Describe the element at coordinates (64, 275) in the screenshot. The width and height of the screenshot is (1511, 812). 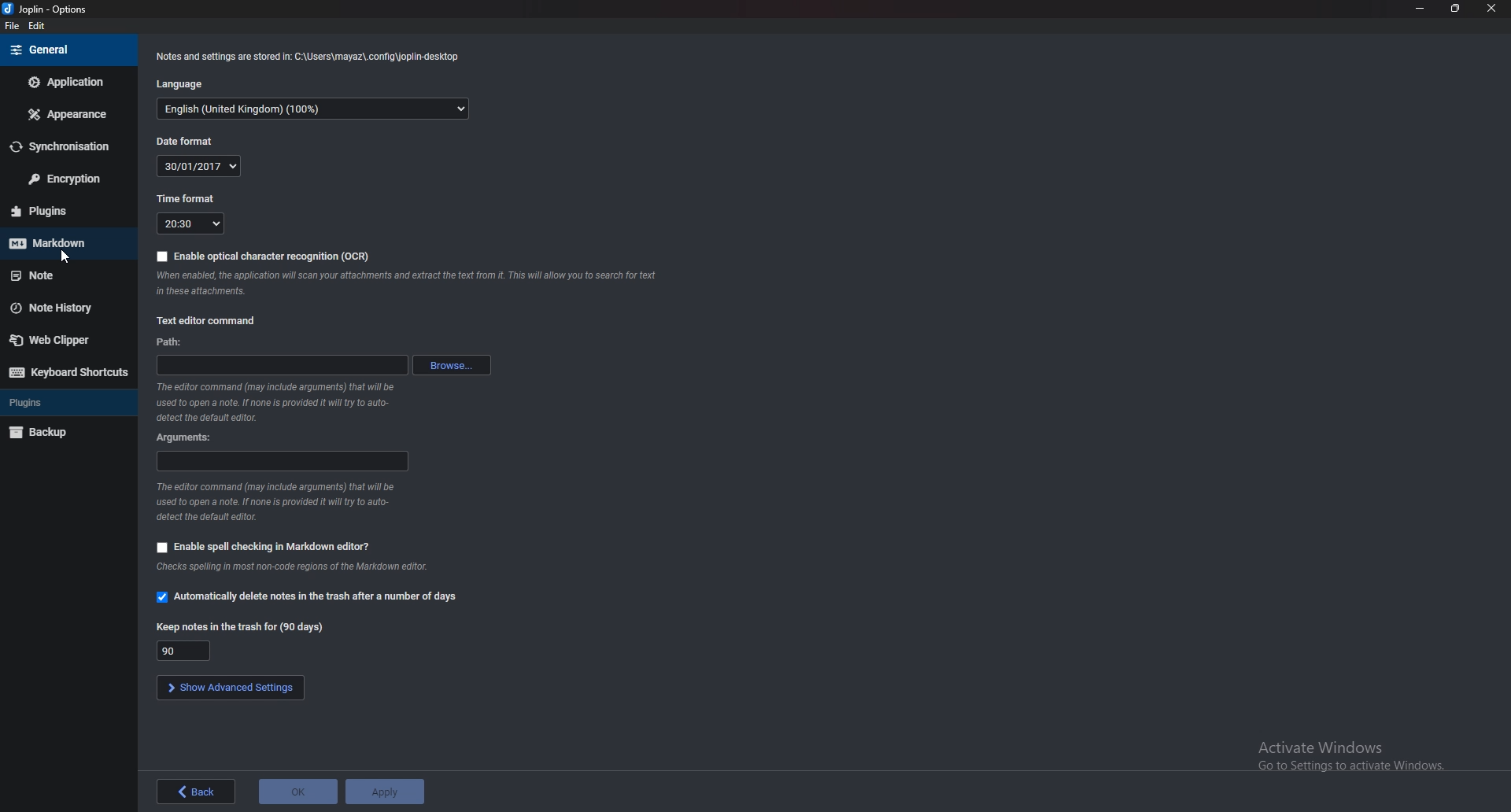
I see `note` at that location.